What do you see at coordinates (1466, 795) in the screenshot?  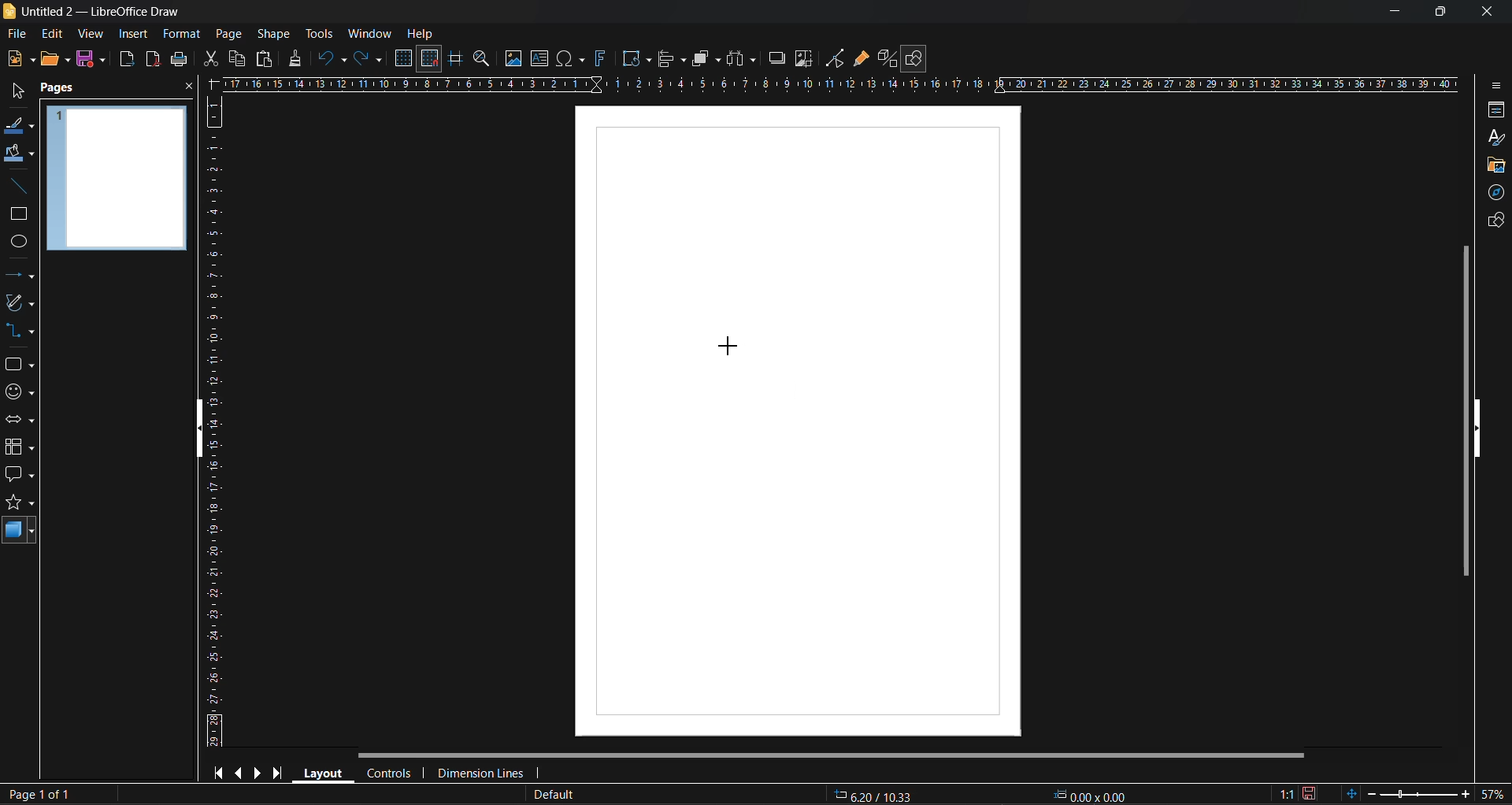 I see `zoom in` at bounding box center [1466, 795].